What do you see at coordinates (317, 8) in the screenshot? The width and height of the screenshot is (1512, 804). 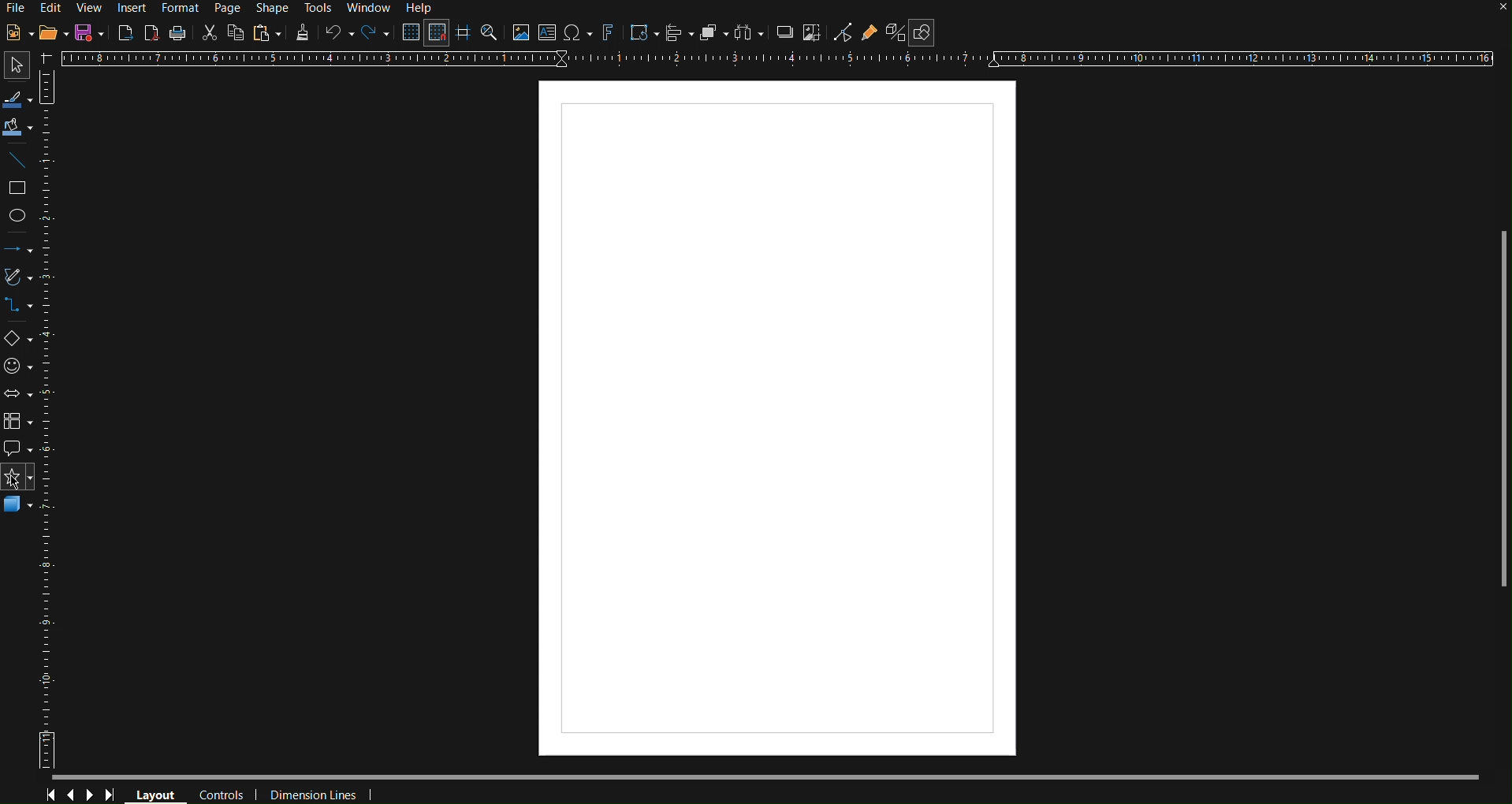 I see `Tools` at bounding box center [317, 8].